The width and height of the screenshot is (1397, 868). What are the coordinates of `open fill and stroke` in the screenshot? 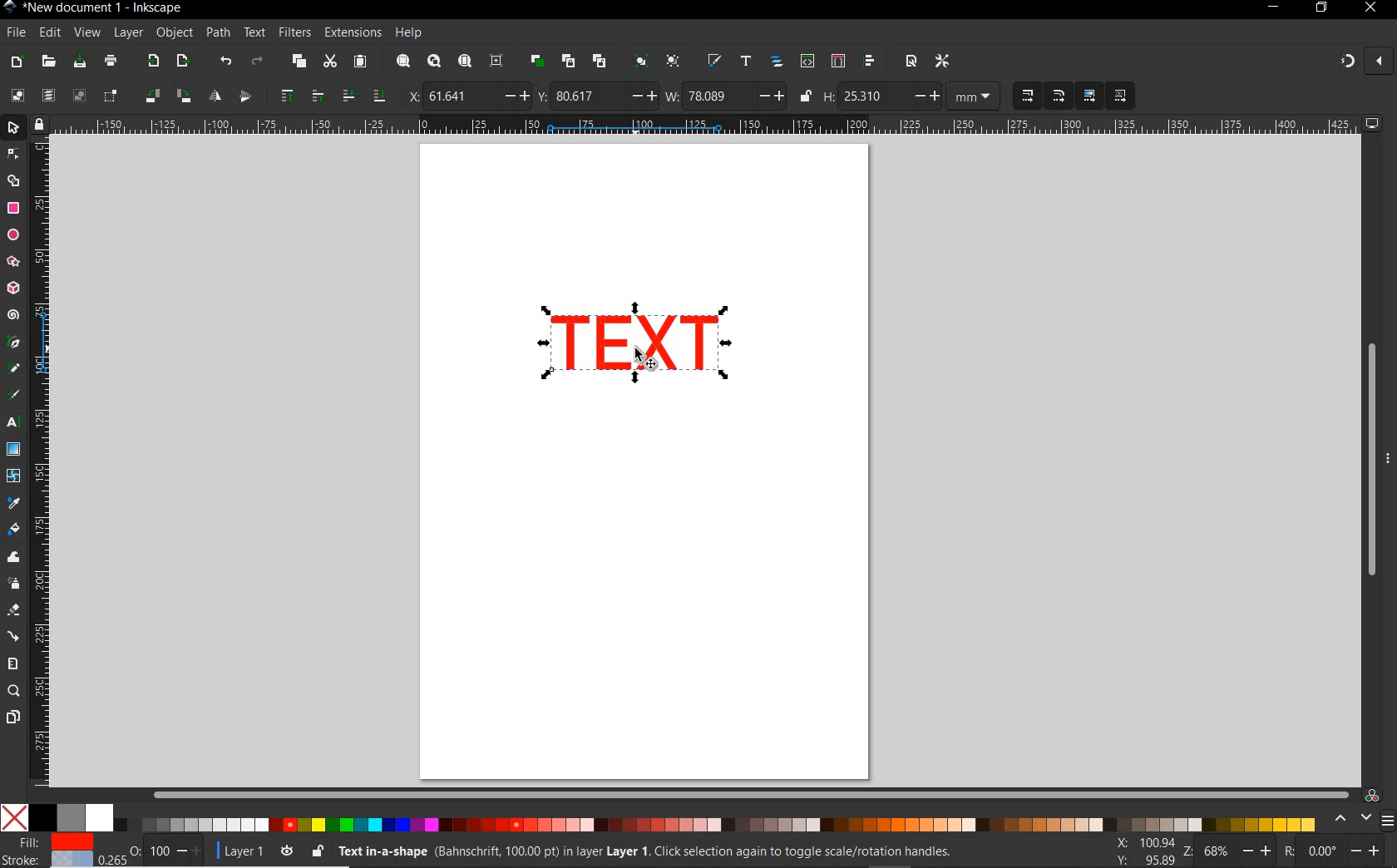 It's located at (715, 62).